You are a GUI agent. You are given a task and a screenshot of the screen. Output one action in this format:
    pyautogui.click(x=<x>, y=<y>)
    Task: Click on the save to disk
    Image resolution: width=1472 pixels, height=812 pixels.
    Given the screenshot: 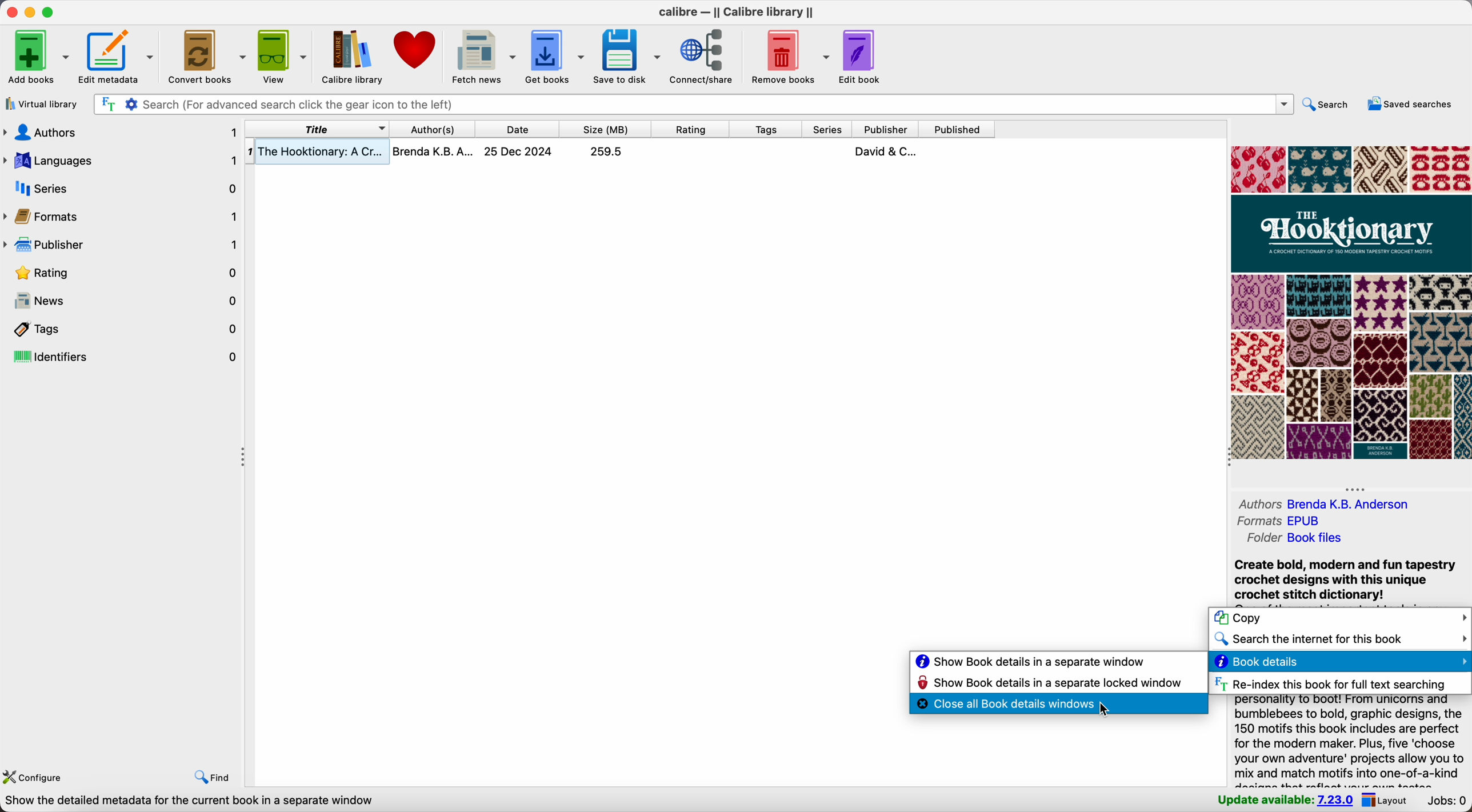 What is the action you would take?
    pyautogui.click(x=627, y=55)
    